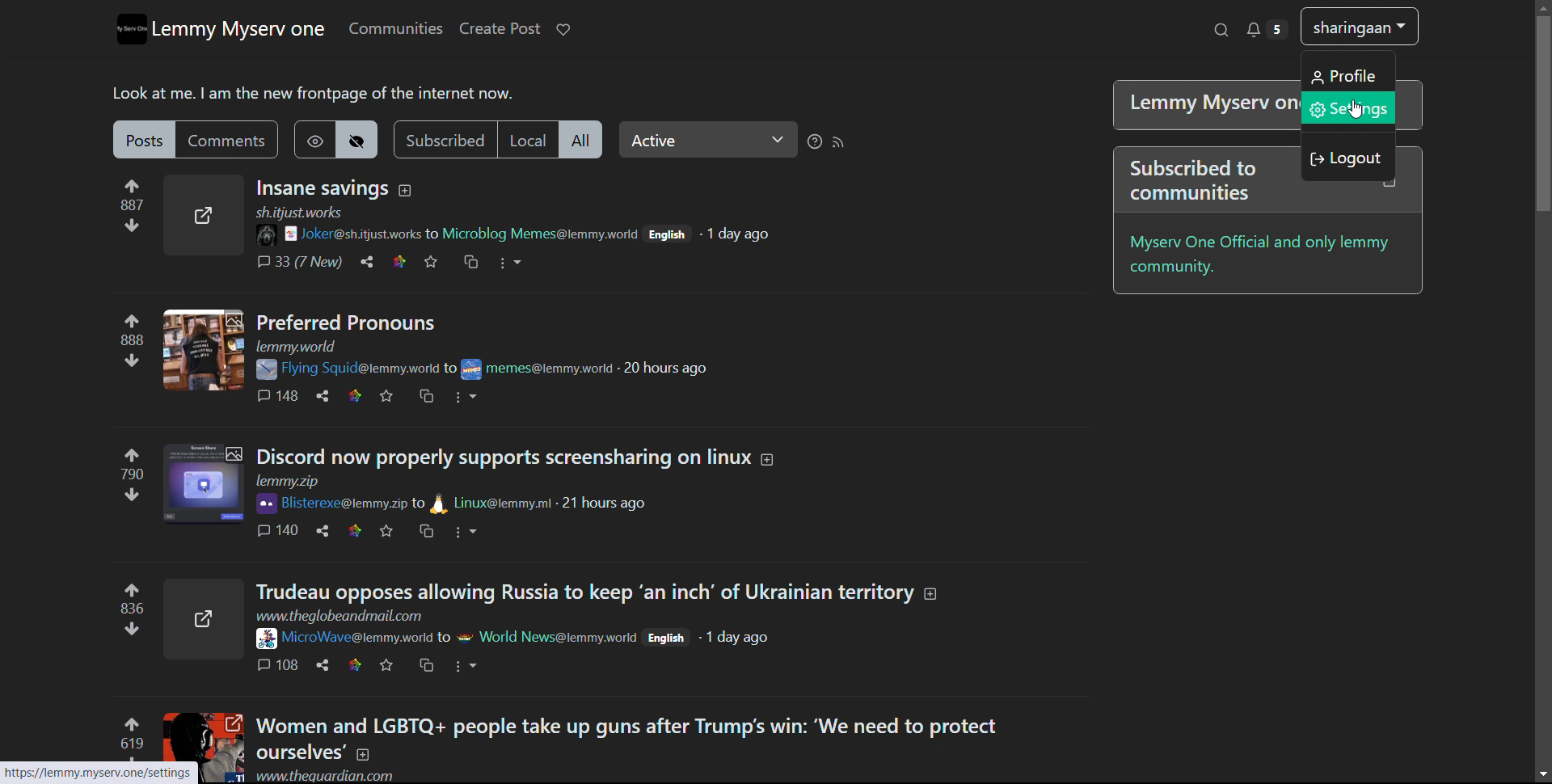 The height and width of the screenshot is (784, 1552). Describe the element at coordinates (132, 341) in the screenshot. I see `upvote and downvotes` at that location.